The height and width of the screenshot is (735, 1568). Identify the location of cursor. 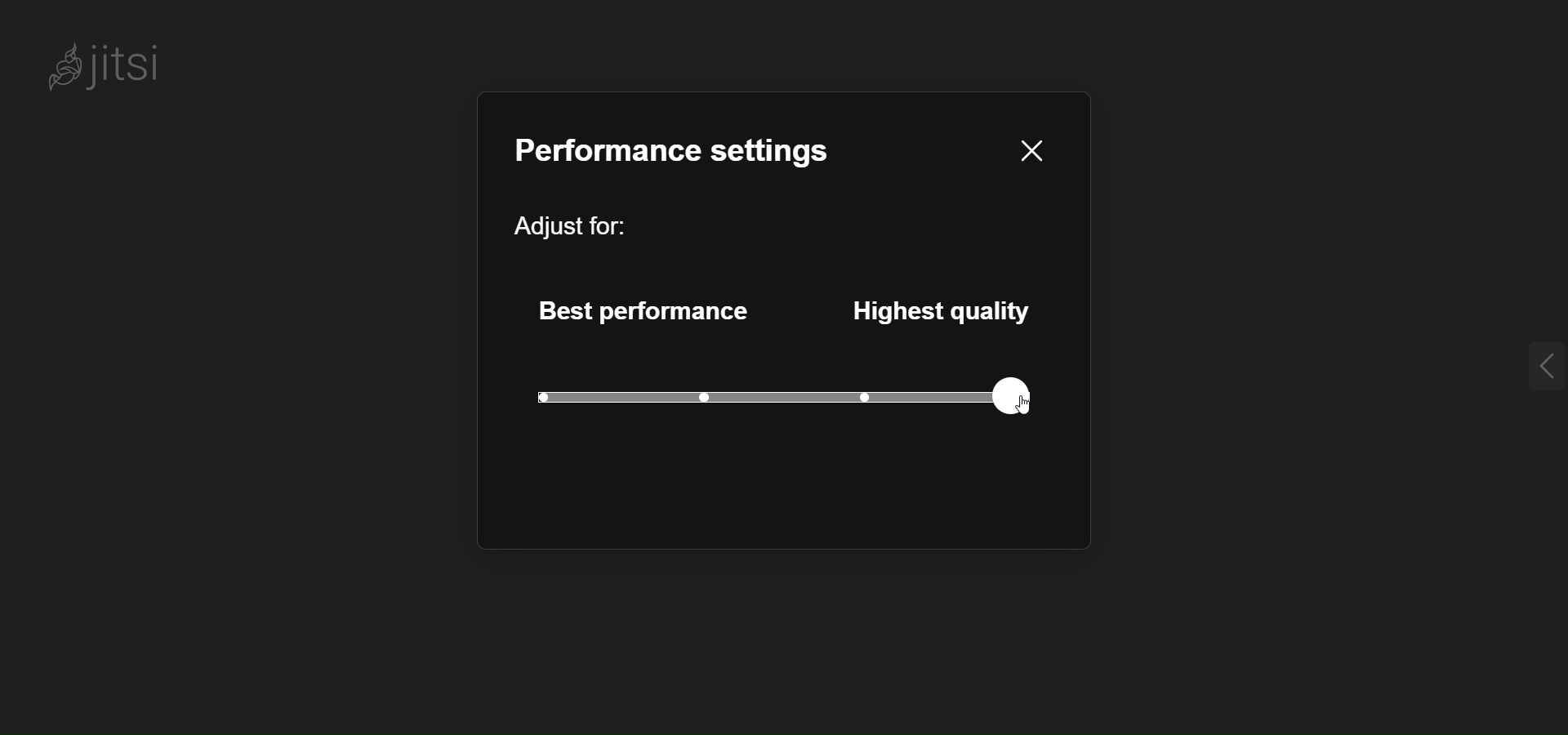
(1028, 411).